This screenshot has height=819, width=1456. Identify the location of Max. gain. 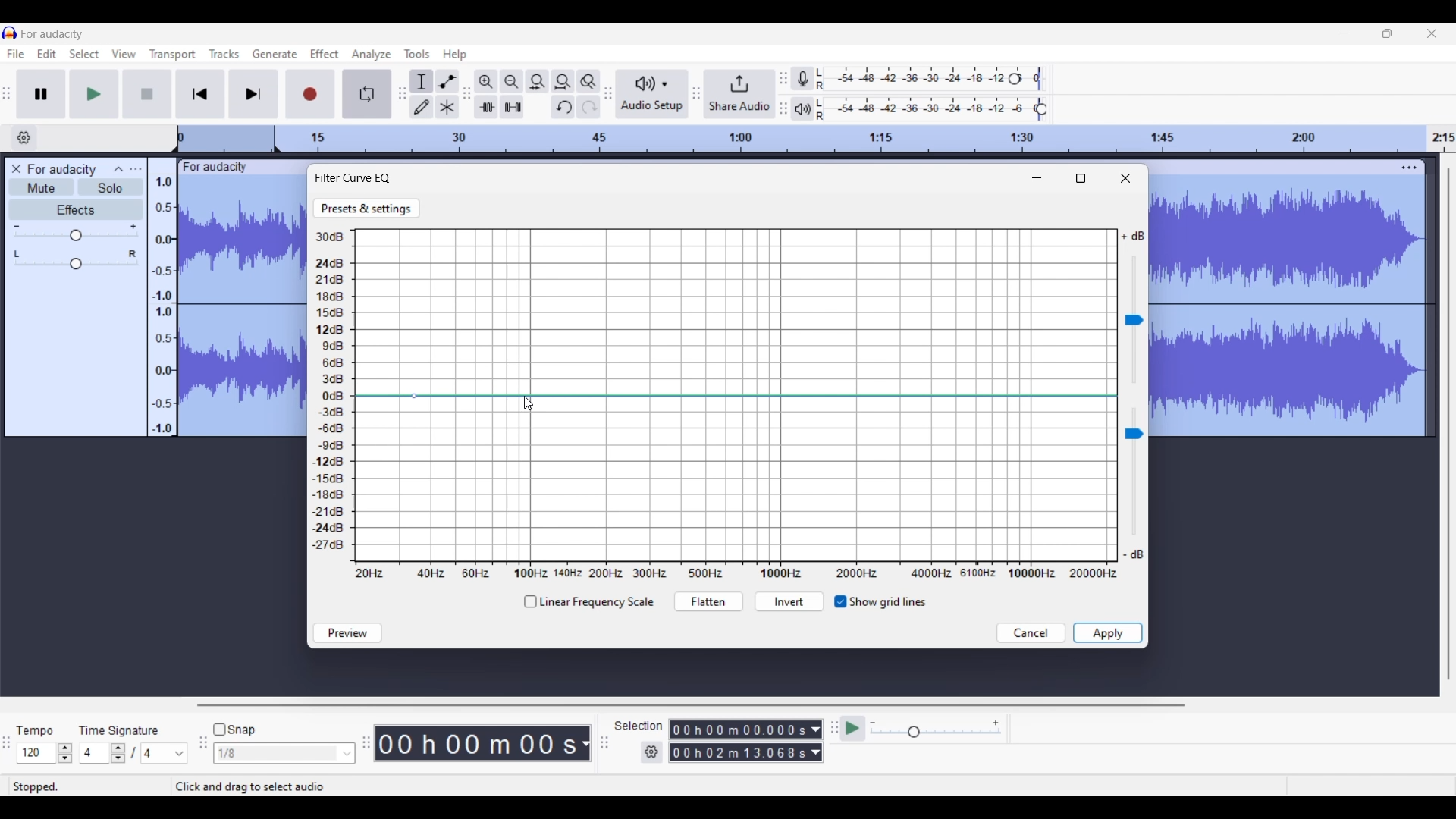
(133, 227).